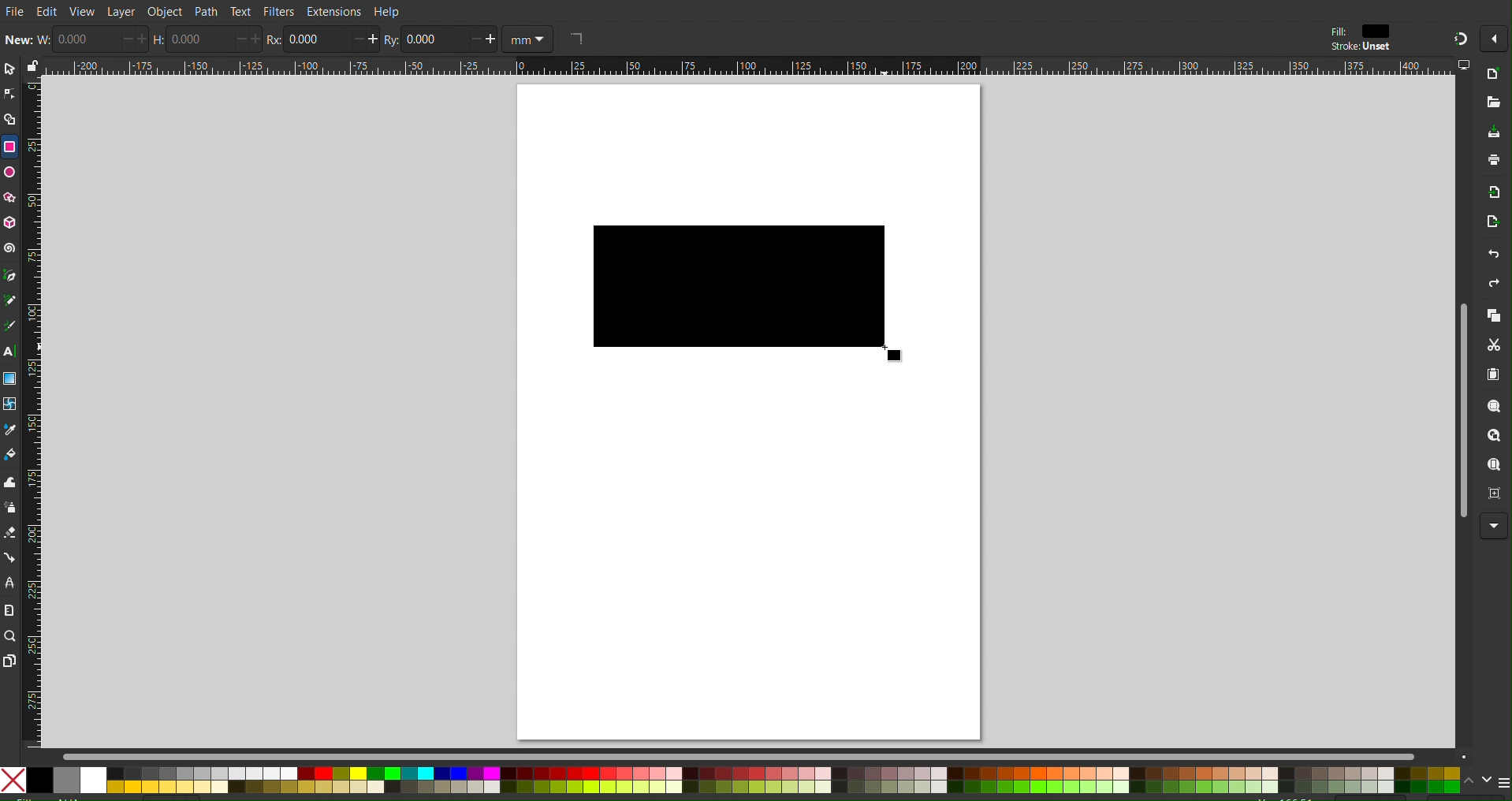  What do you see at coordinates (9, 535) in the screenshot?
I see `Erase Tool` at bounding box center [9, 535].